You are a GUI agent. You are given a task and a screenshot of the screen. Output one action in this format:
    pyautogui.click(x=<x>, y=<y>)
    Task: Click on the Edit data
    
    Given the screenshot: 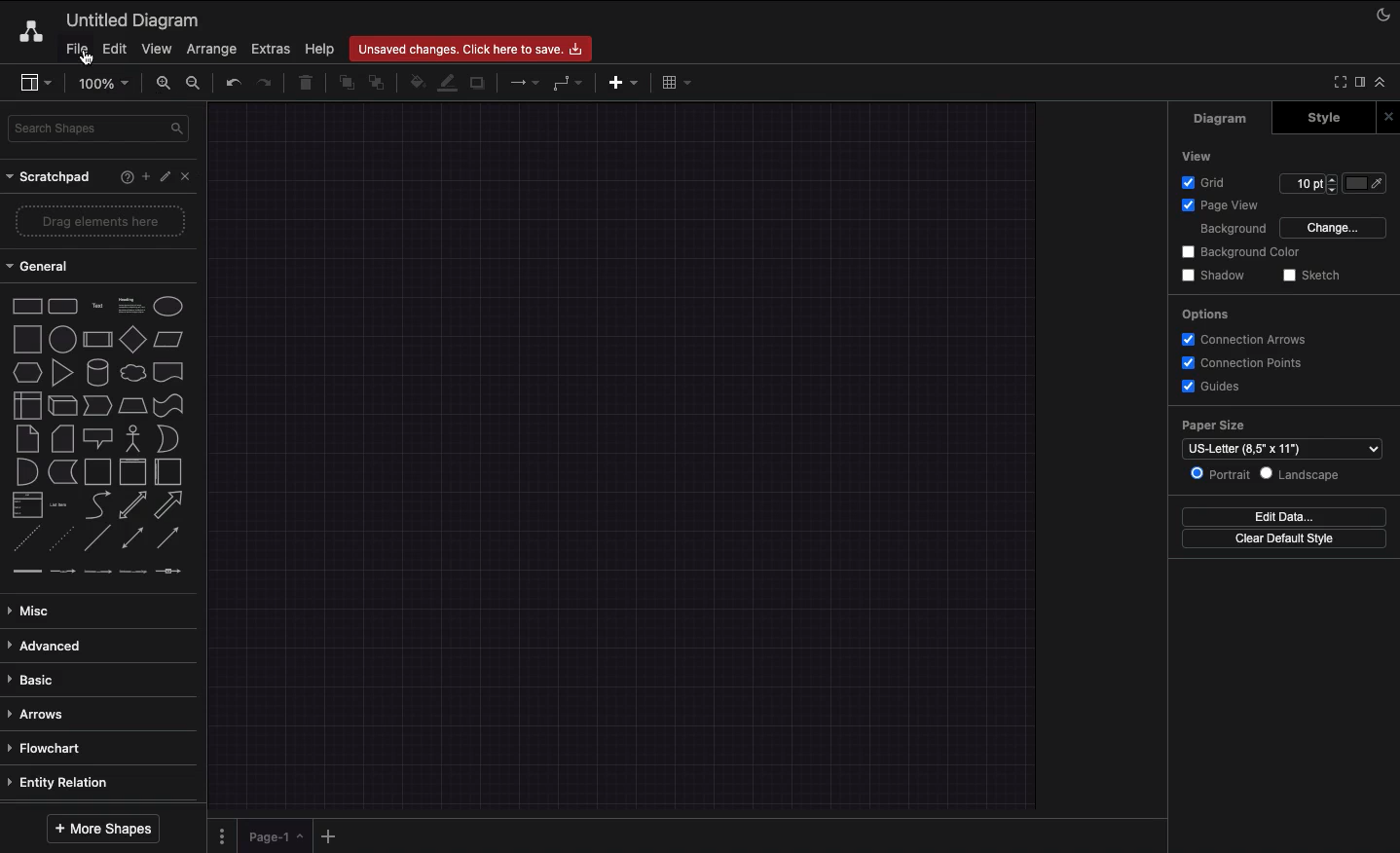 What is the action you would take?
    pyautogui.click(x=1284, y=516)
    